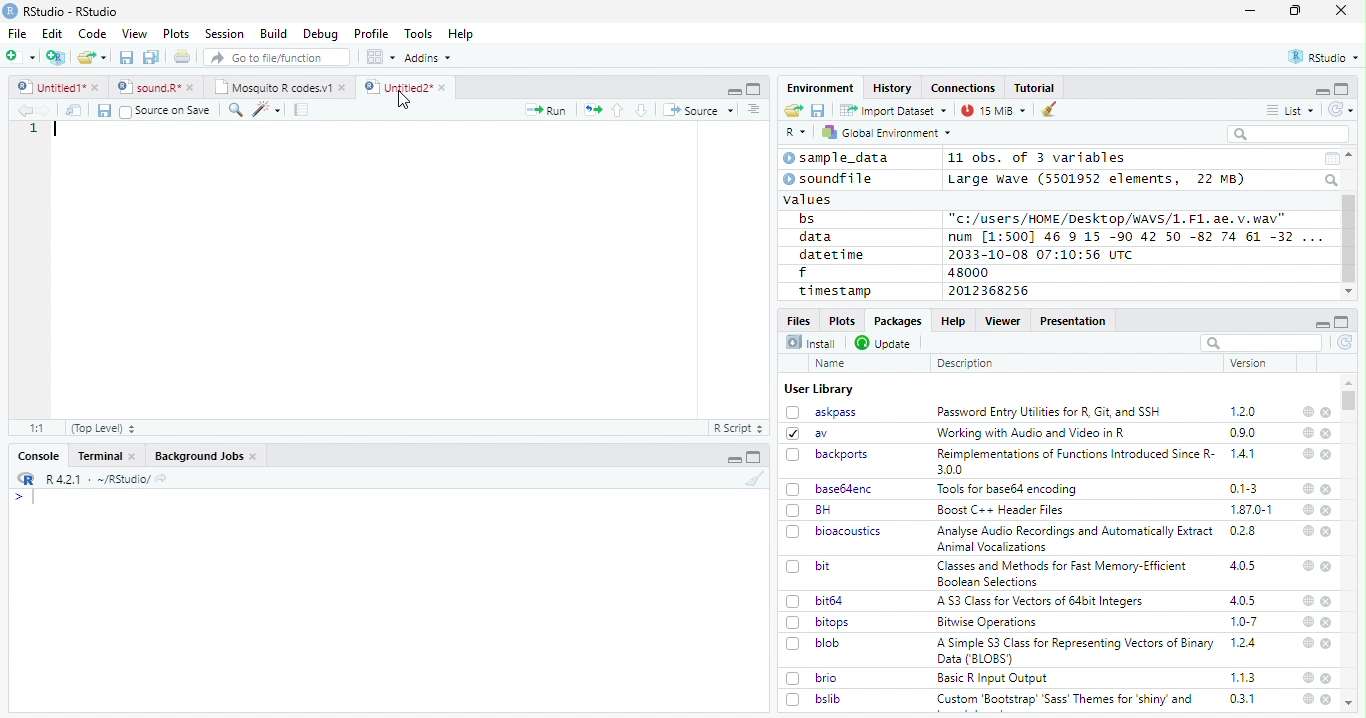 Image resolution: width=1366 pixels, height=718 pixels. I want to click on Files, so click(800, 319).